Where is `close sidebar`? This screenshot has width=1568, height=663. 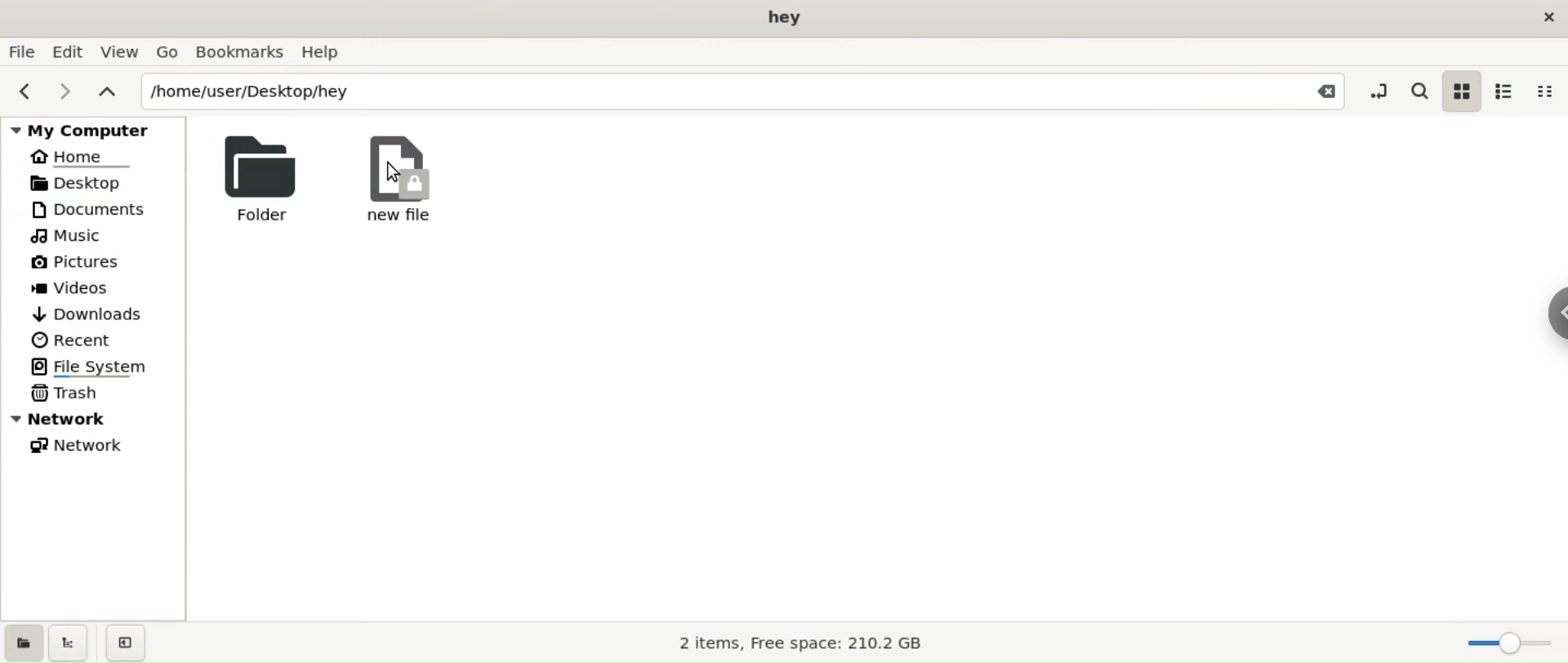
close sidebar is located at coordinates (132, 641).